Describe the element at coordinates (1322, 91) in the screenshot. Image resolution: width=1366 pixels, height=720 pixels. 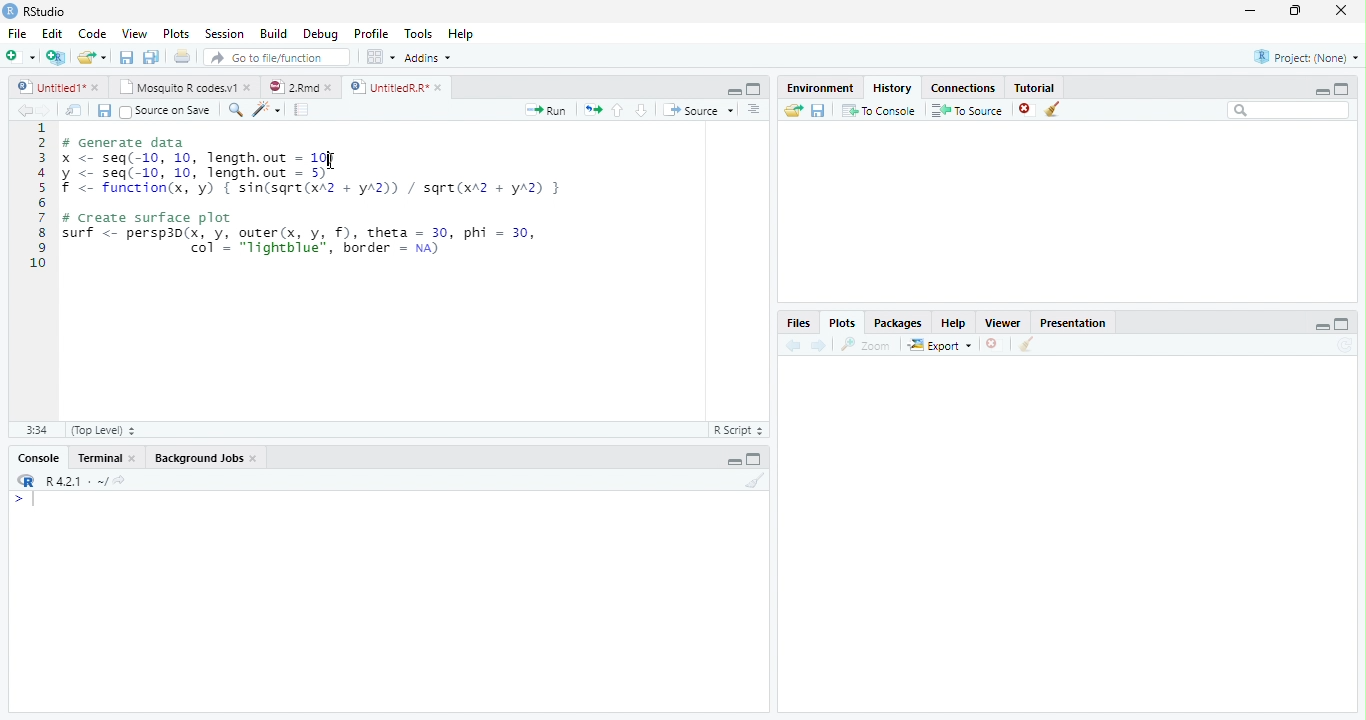
I see `minimize` at that location.